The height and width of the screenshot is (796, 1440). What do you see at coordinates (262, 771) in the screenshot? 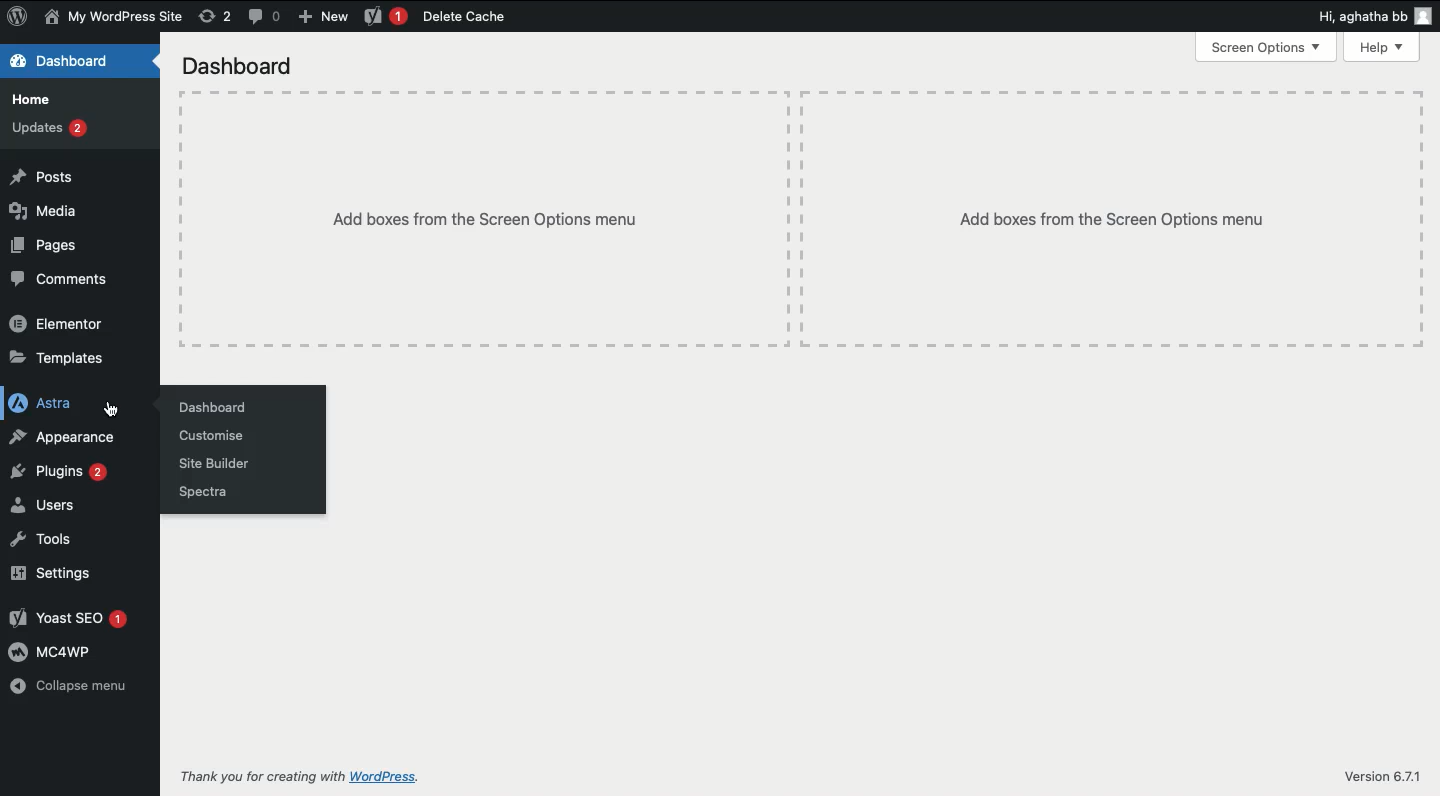
I see `Thank you for creating with` at bounding box center [262, 771].